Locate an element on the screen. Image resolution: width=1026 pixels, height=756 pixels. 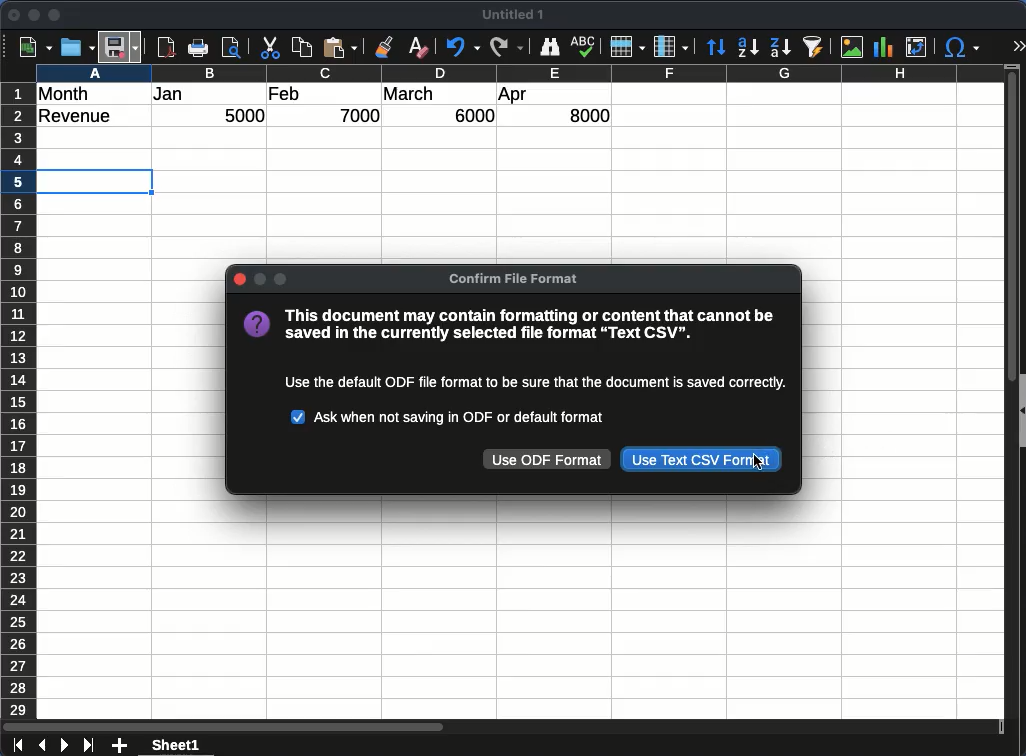
previous sheet is located at coordinates (40, 746).